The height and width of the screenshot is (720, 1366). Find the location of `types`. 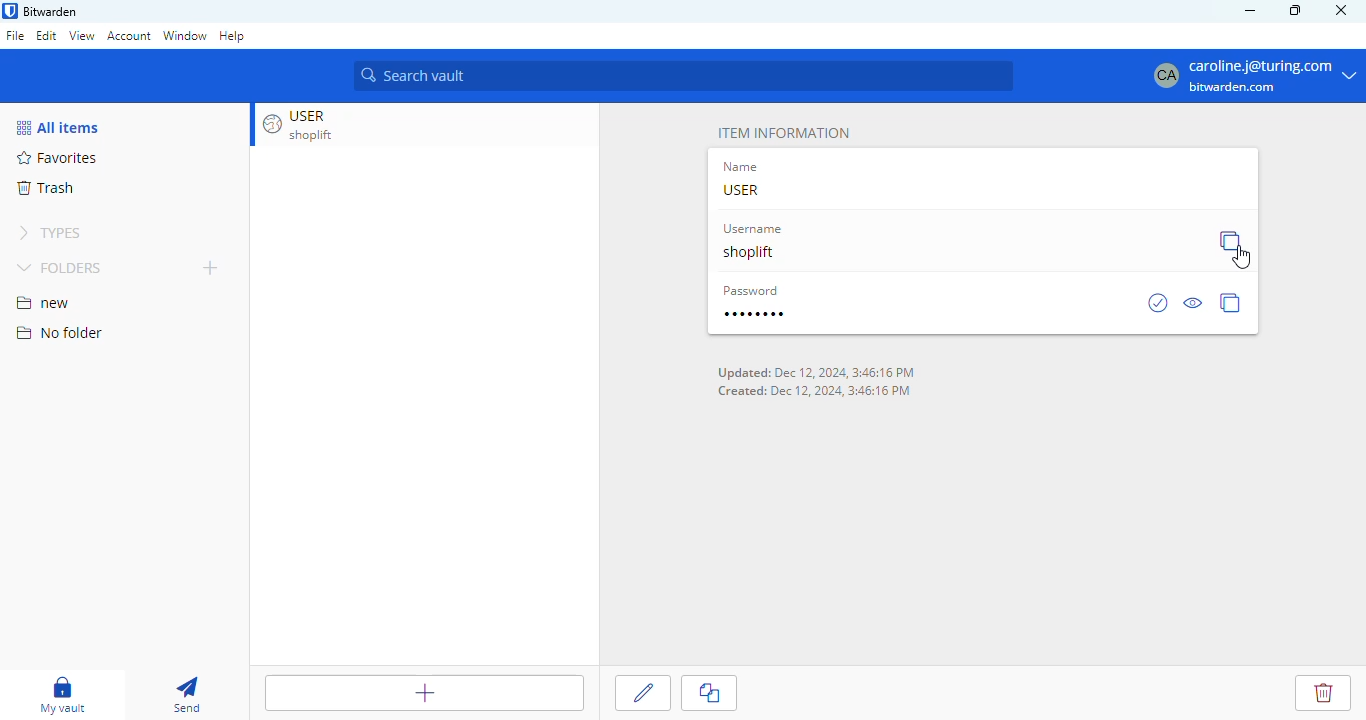

types is located at coordinates (51, 233).